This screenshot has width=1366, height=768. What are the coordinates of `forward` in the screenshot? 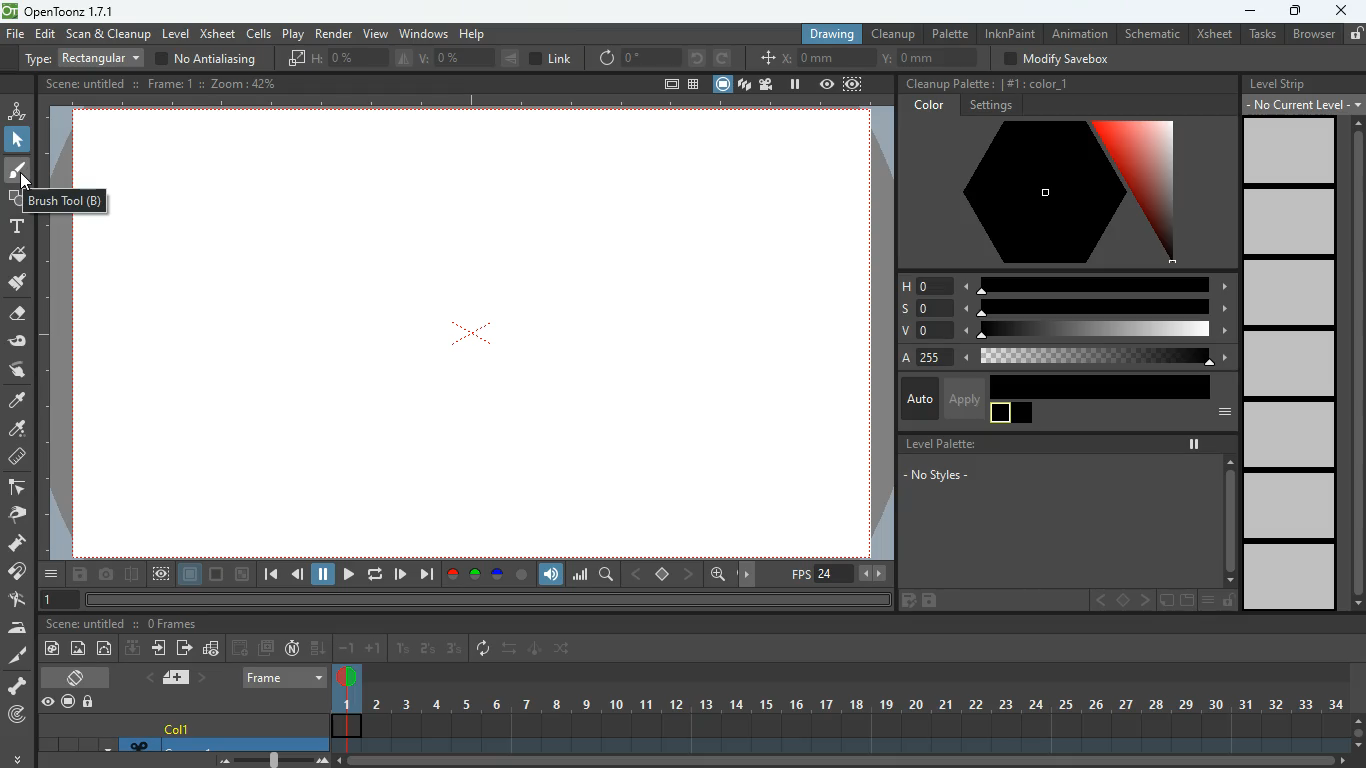 It's located at (400, 574).